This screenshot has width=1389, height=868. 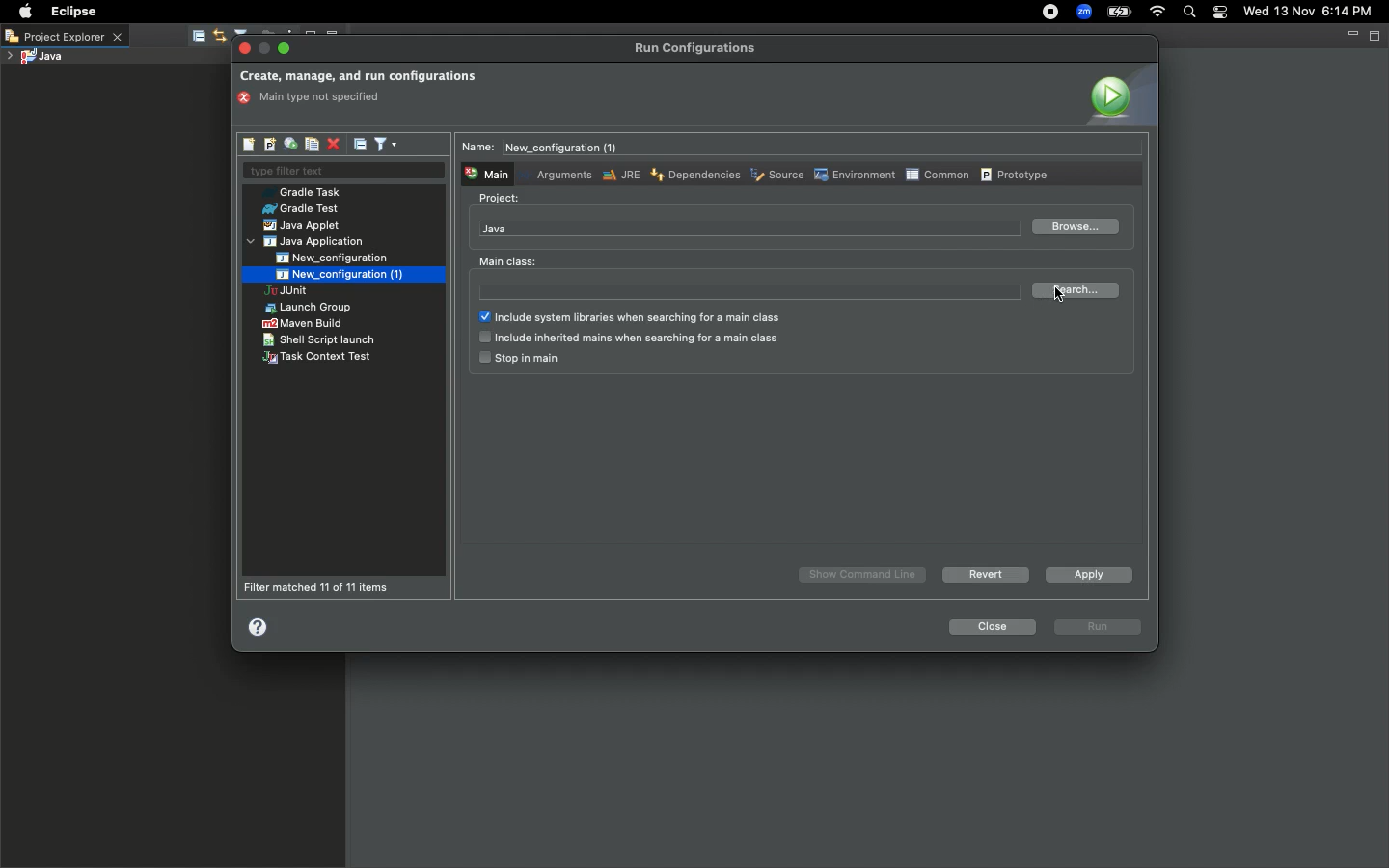 I want to click on JUnit, so click(x=302, y=292).